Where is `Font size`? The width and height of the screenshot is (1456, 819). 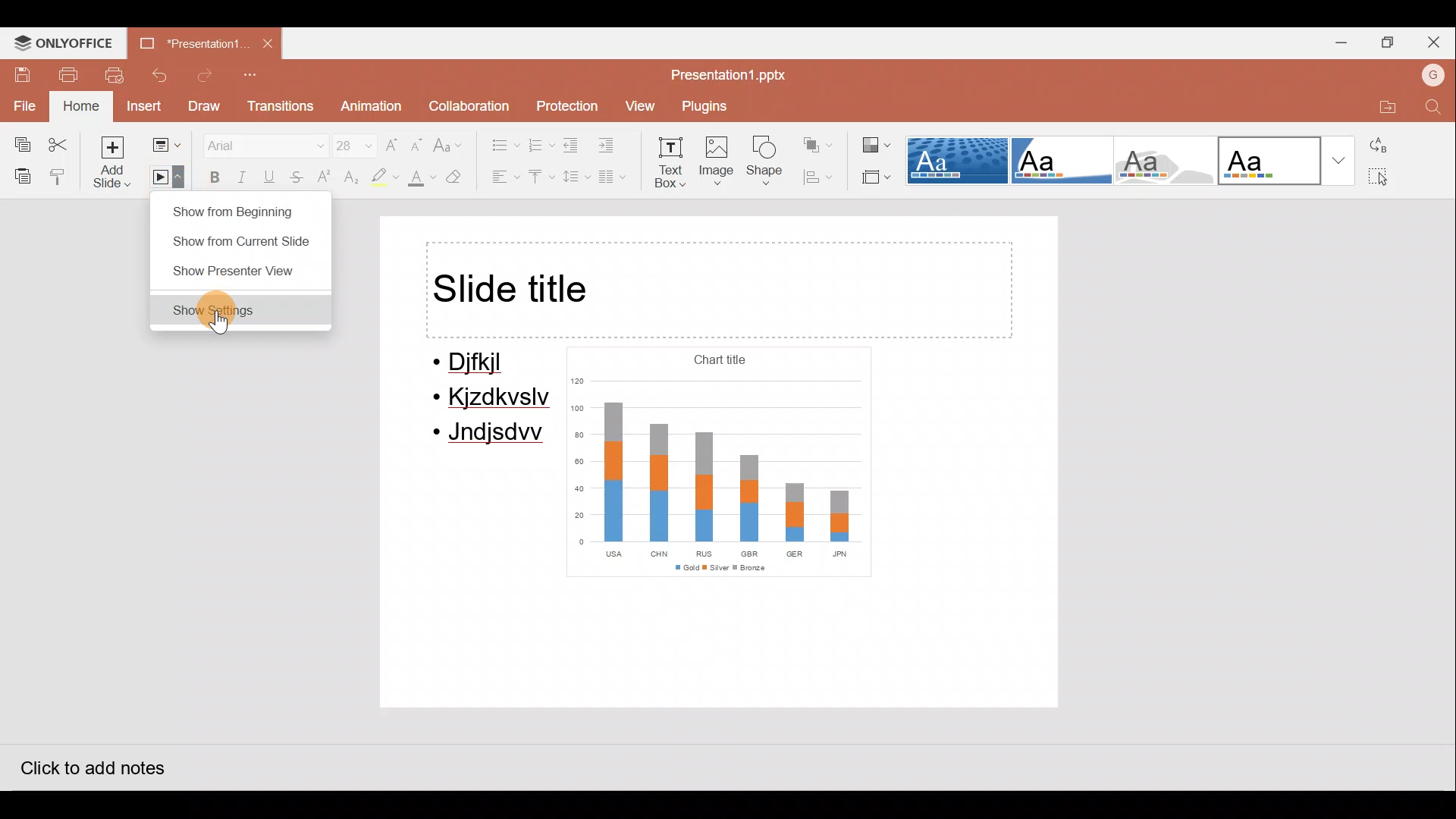 Font size is located at coordinates (352, 144).